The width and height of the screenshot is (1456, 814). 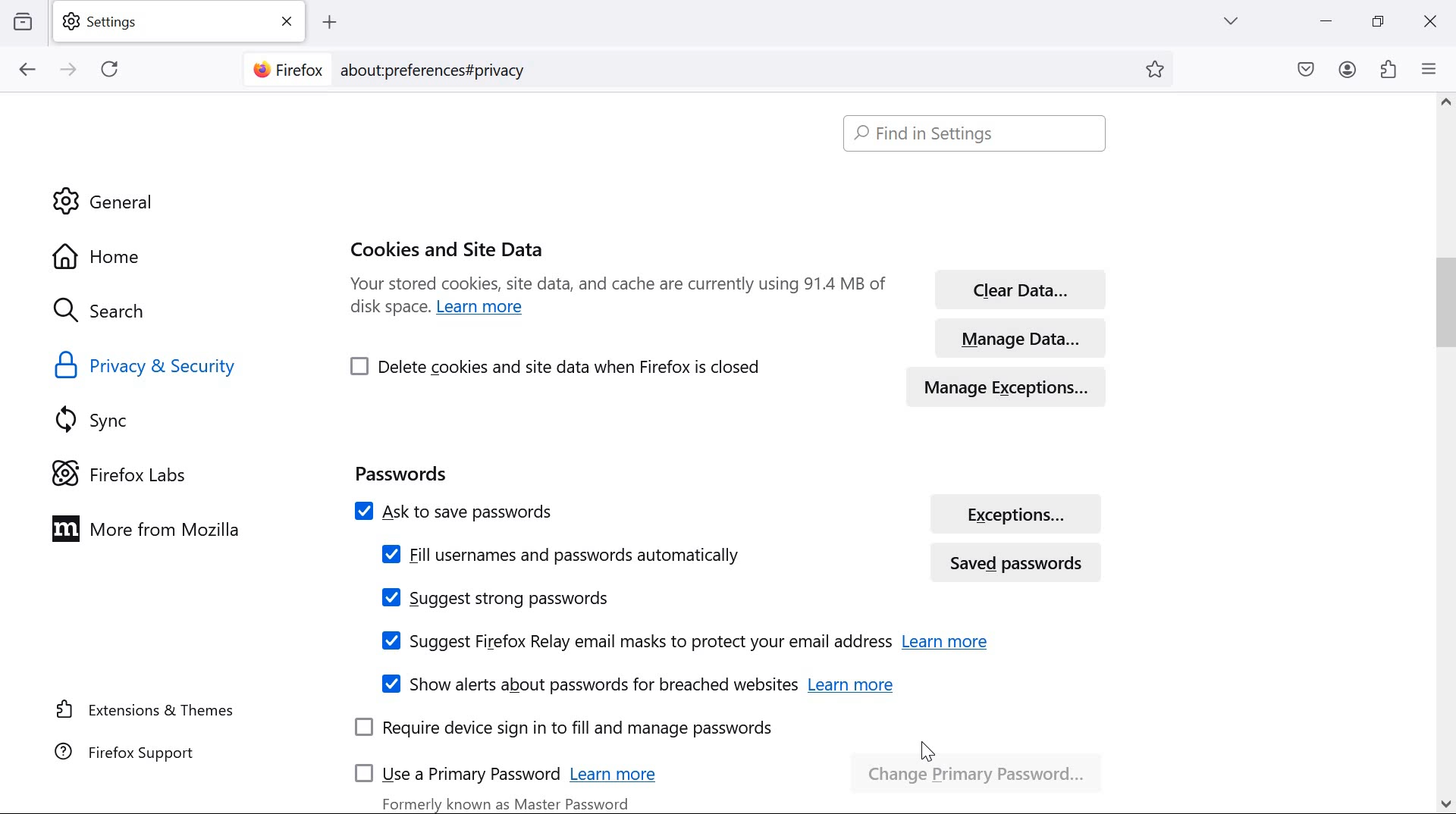 I want to click on Clear Data..., so click(x=1016, y=286).